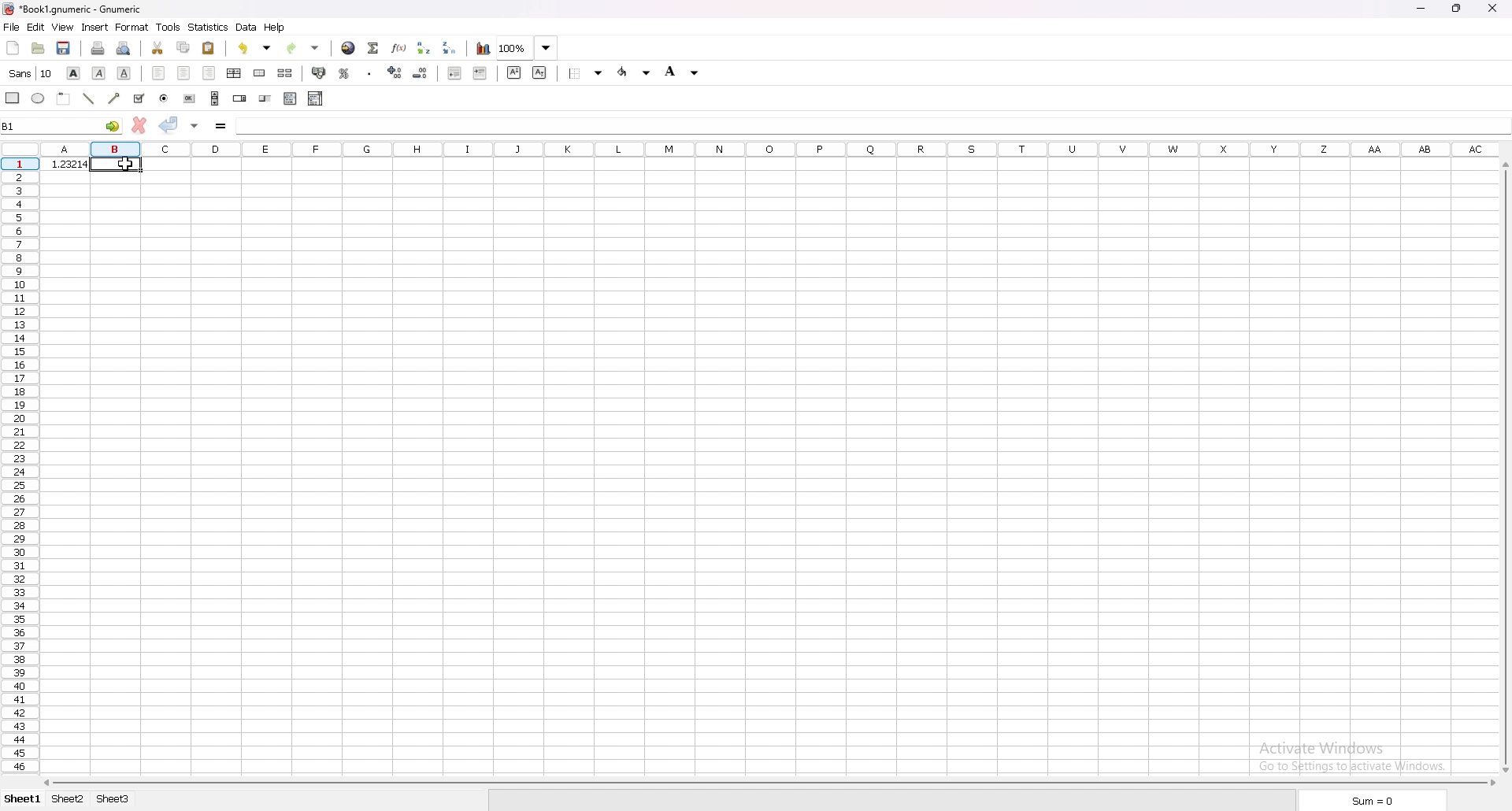 This screenshot has width=1512, height=811. I want to click on function, so click(399, 47).